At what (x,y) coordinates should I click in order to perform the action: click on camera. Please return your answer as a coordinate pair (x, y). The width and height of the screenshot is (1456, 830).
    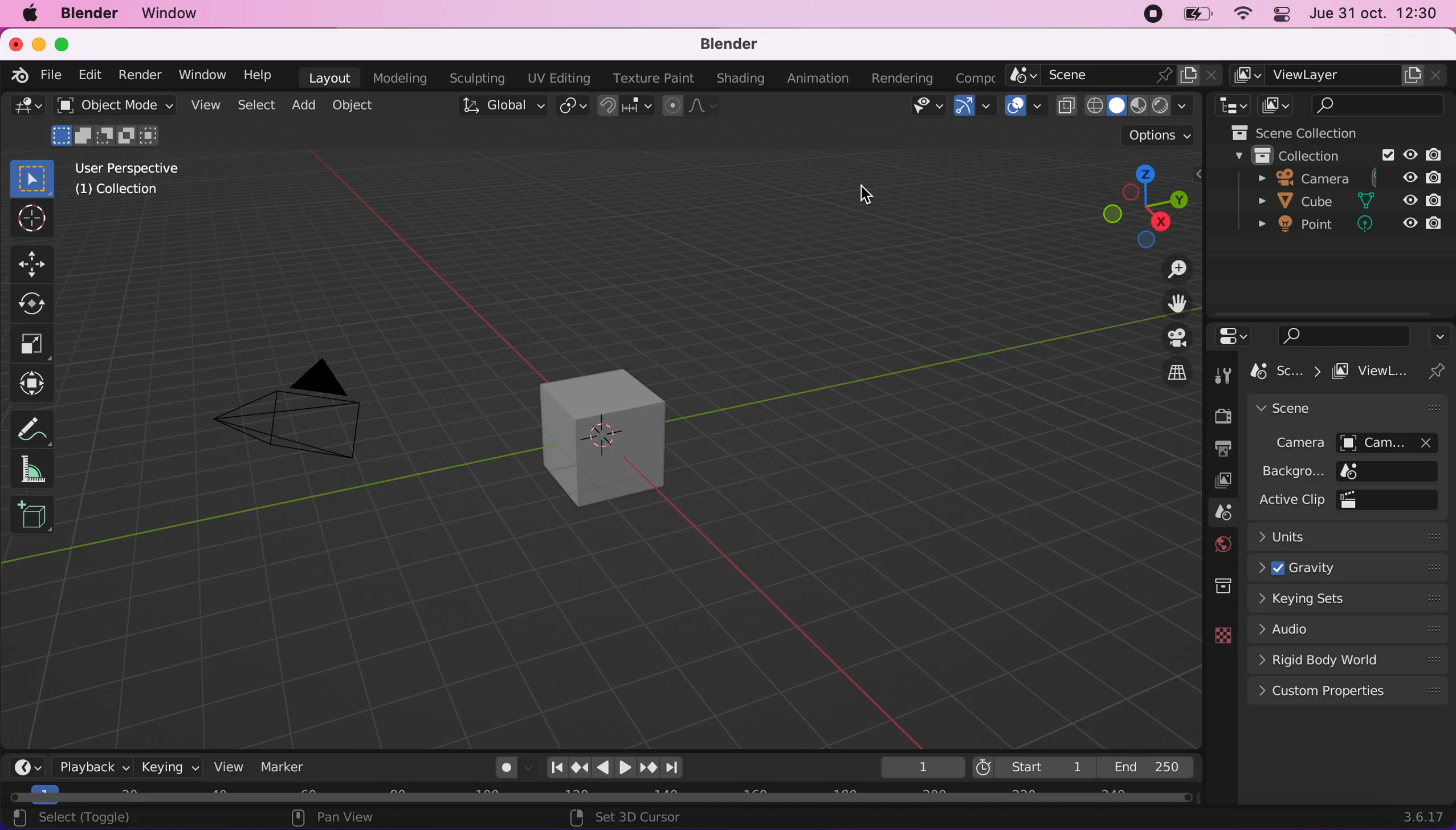
    Looking at the image, I should click on (309, 399).